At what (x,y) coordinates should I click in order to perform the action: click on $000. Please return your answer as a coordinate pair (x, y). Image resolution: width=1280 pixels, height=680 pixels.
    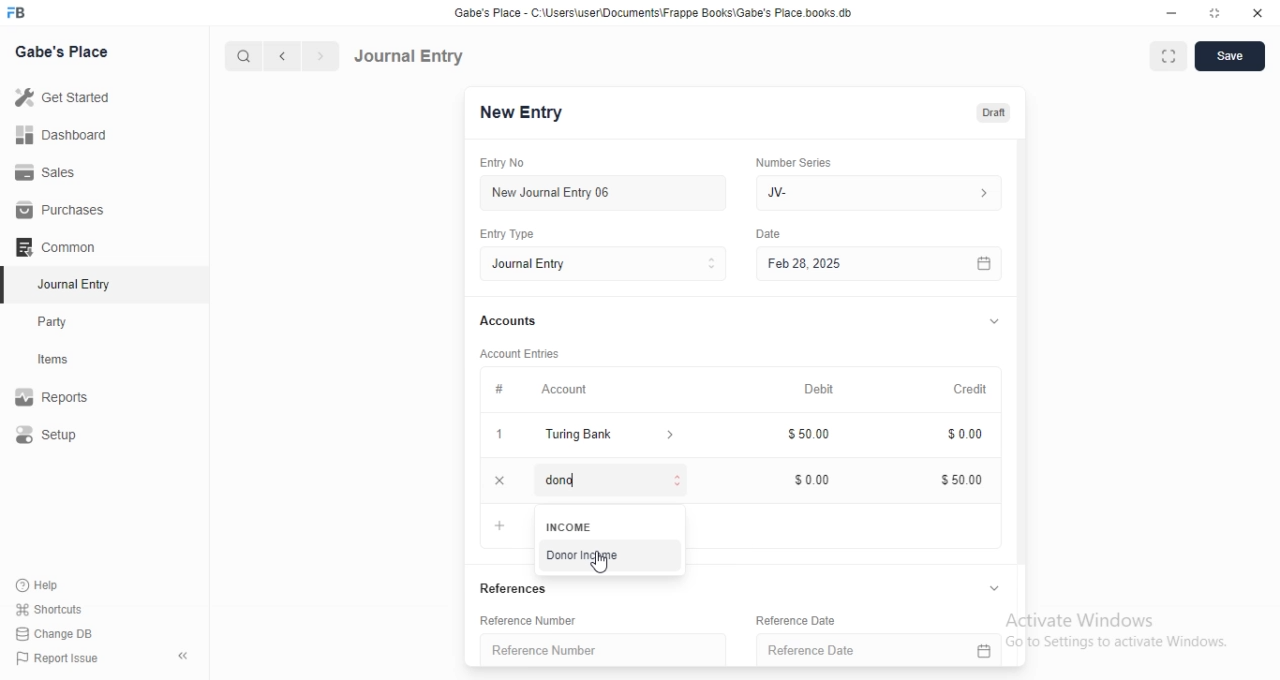
    Looking at the image, I should click on (967, 435).